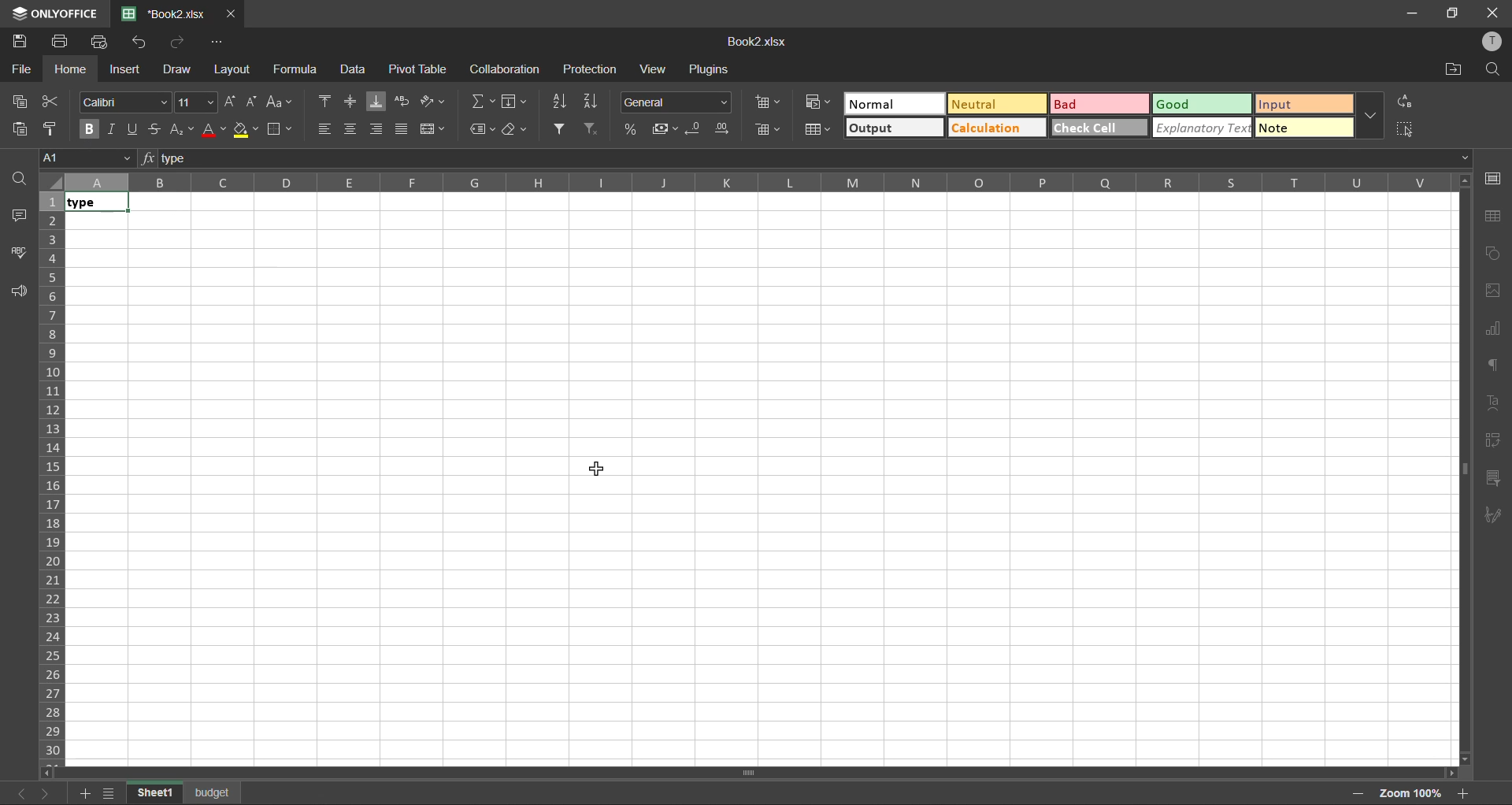 The height and width of the screenshot is (805, 1512). What do you see at coordinates (235, 71) in the screenshot?
I see `layout` at bounding box center [235, 71].